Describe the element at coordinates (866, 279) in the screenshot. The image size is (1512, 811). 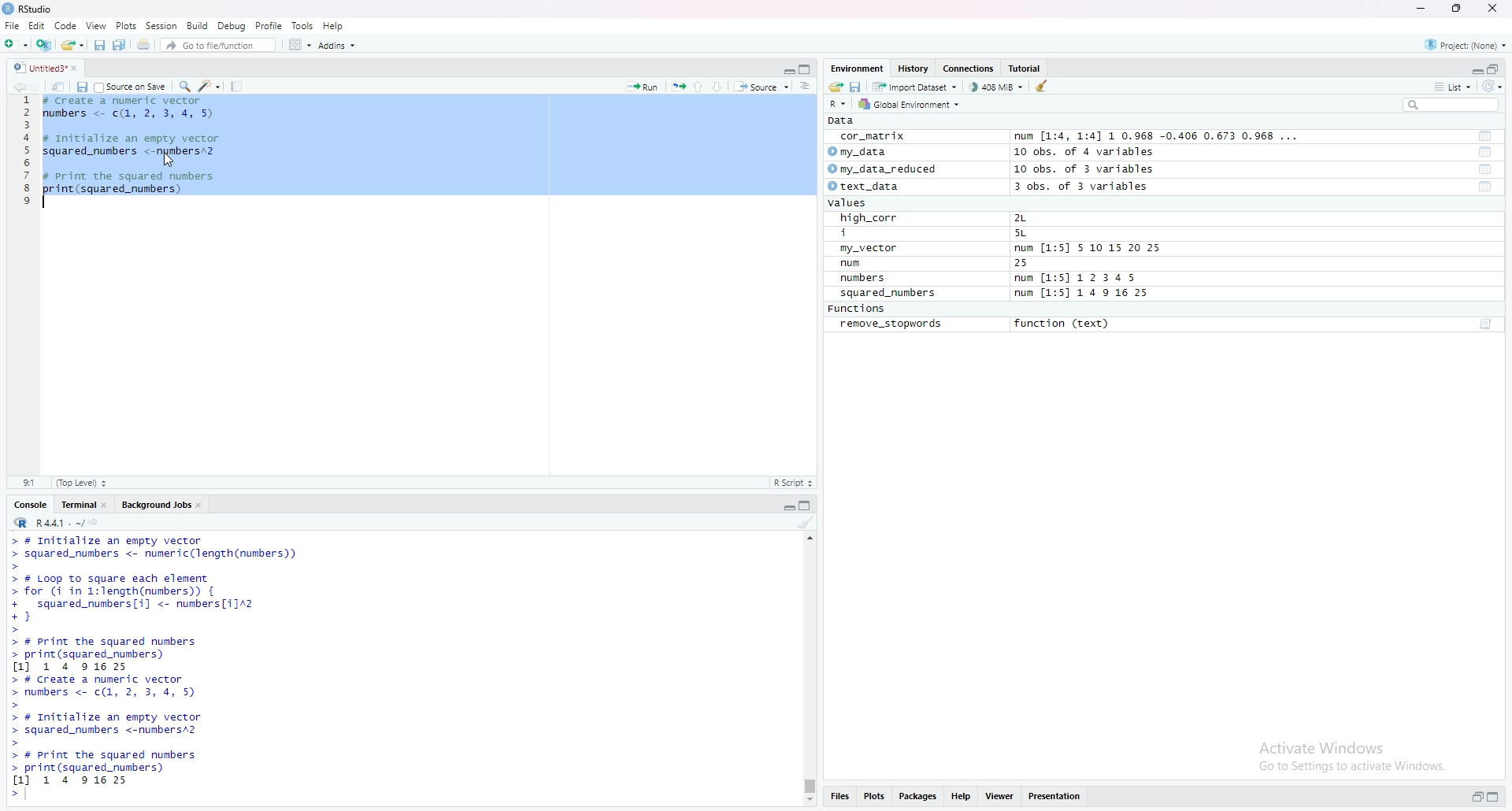
I see `numbers` at that location.